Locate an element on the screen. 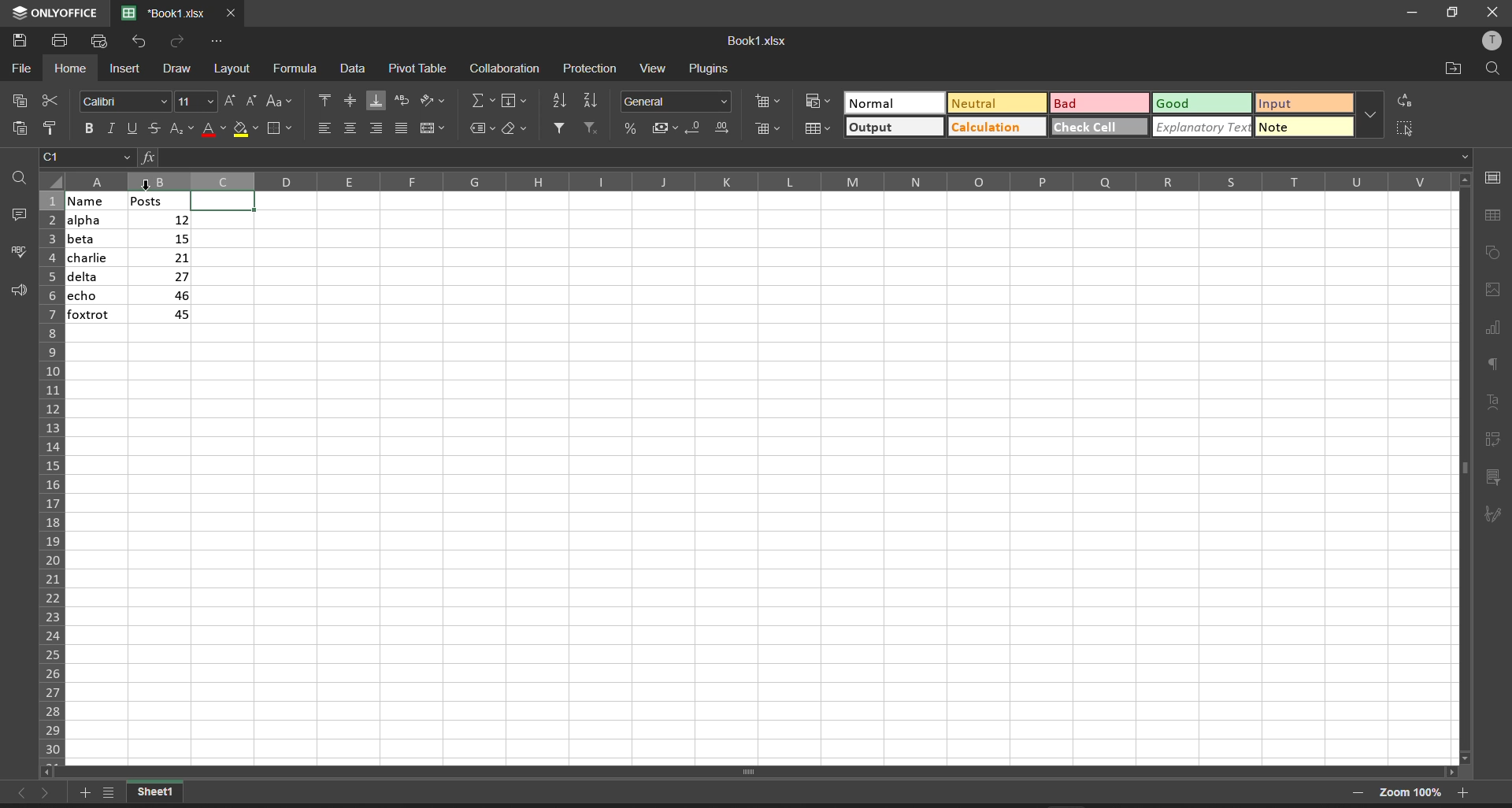  fill color is located at coordinates (246, 131).